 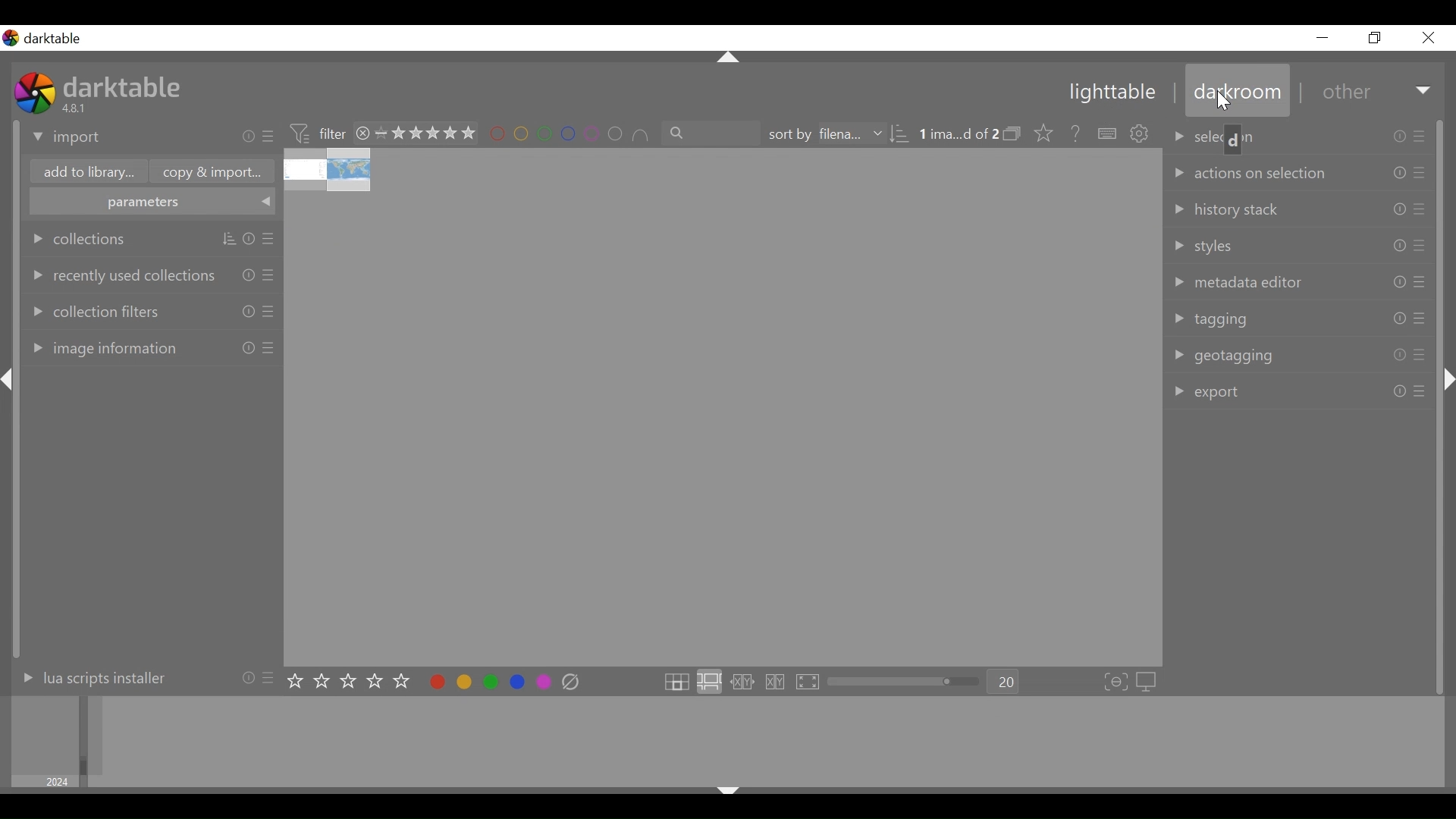 What do you see at coordinates (572, 134) in the screenshot?
I see `set color labels` at bounding box center [572, 134].